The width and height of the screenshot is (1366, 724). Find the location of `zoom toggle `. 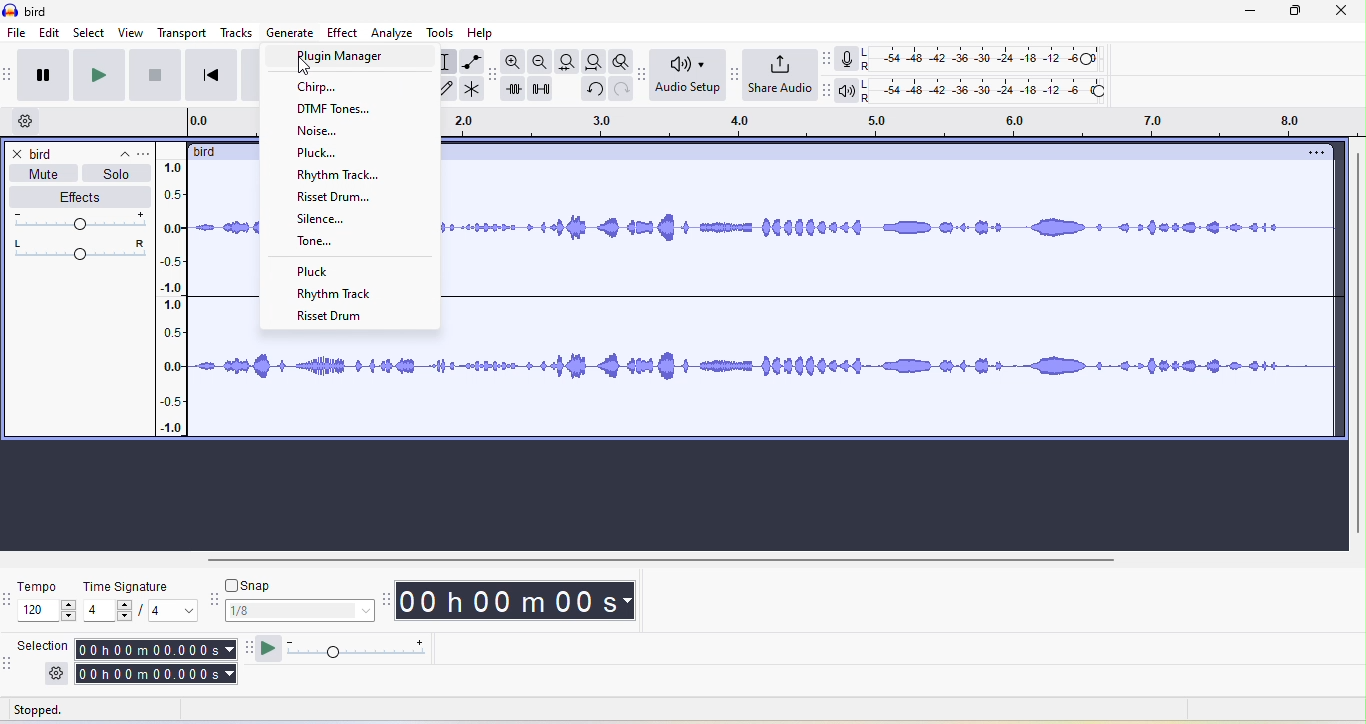

zoom toggle  is located at coordinates (616, 59).